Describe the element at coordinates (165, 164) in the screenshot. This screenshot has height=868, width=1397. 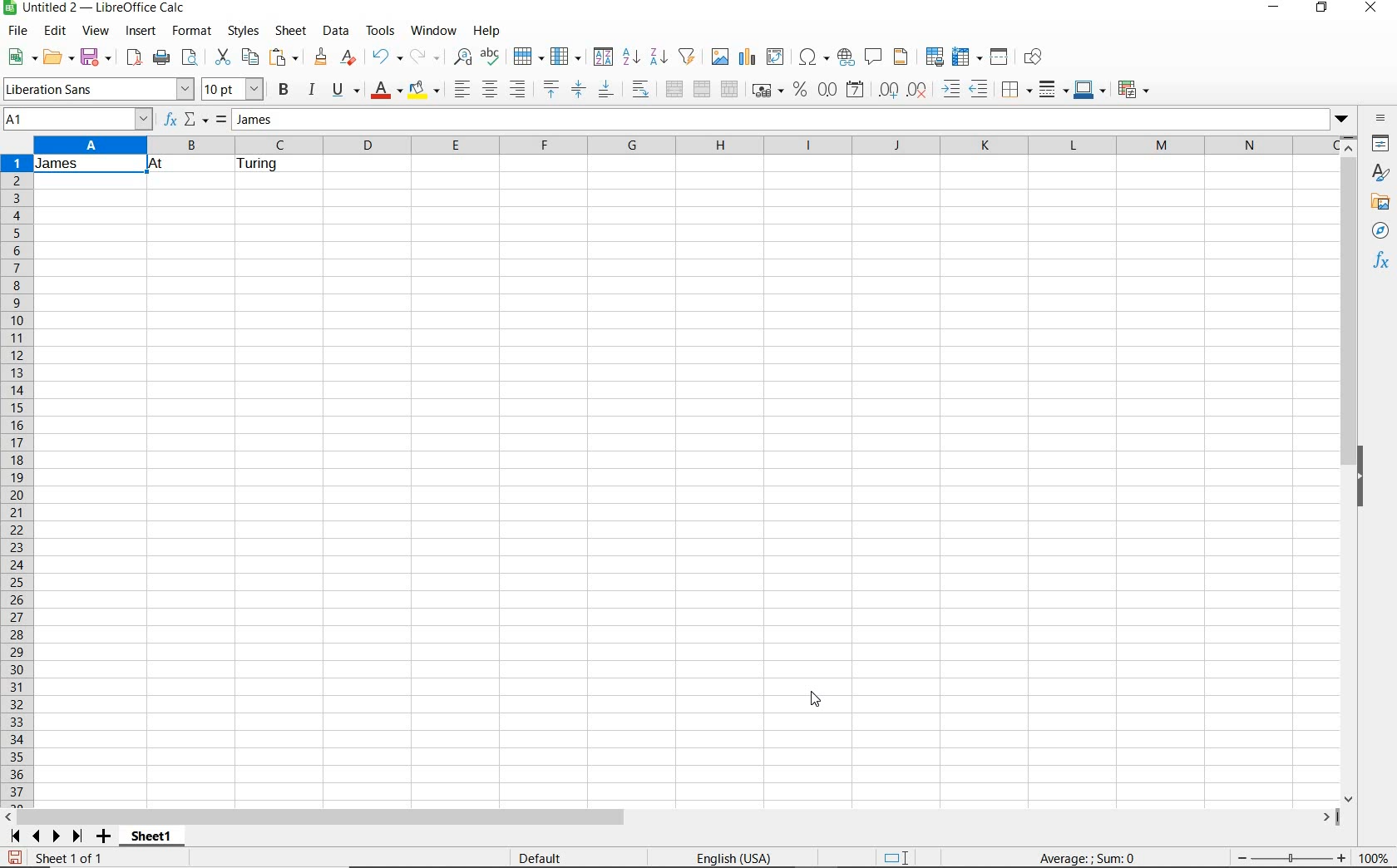
I see `text split` at that location.